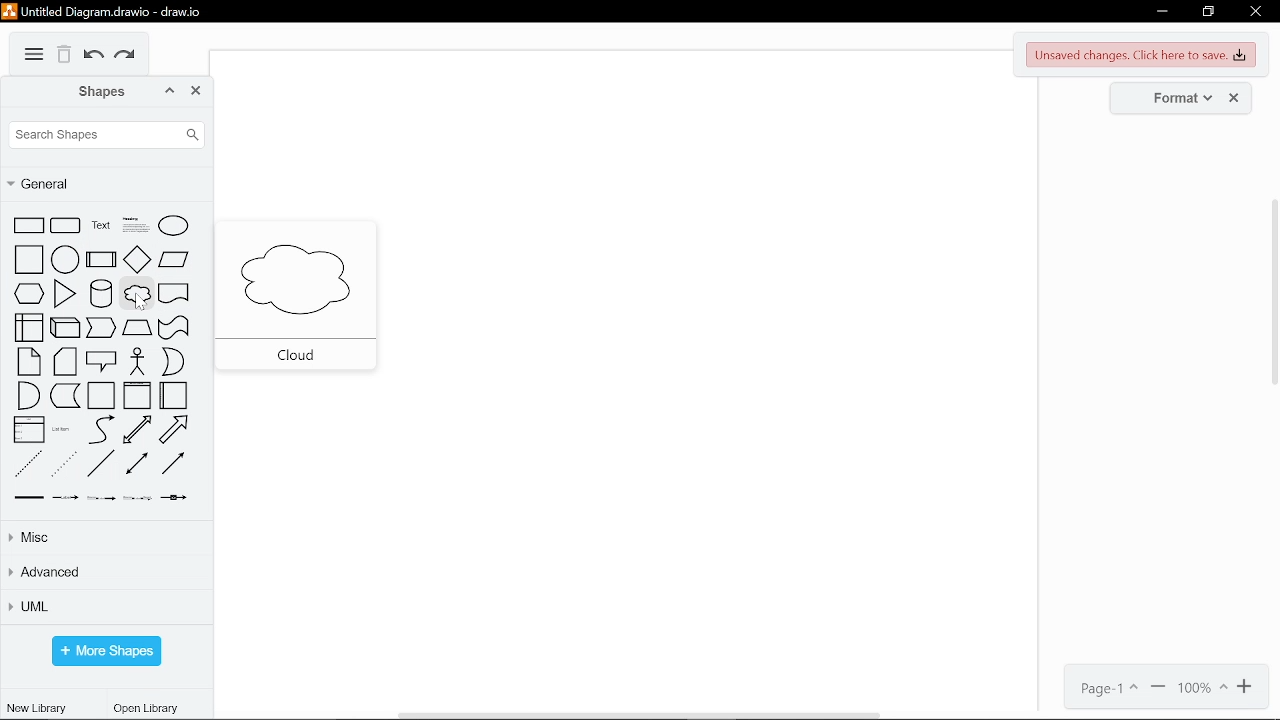 Image resolution: width=1280 pixels, height=720 pixels. I want to click on bidirectional connector, so click(136, 464).